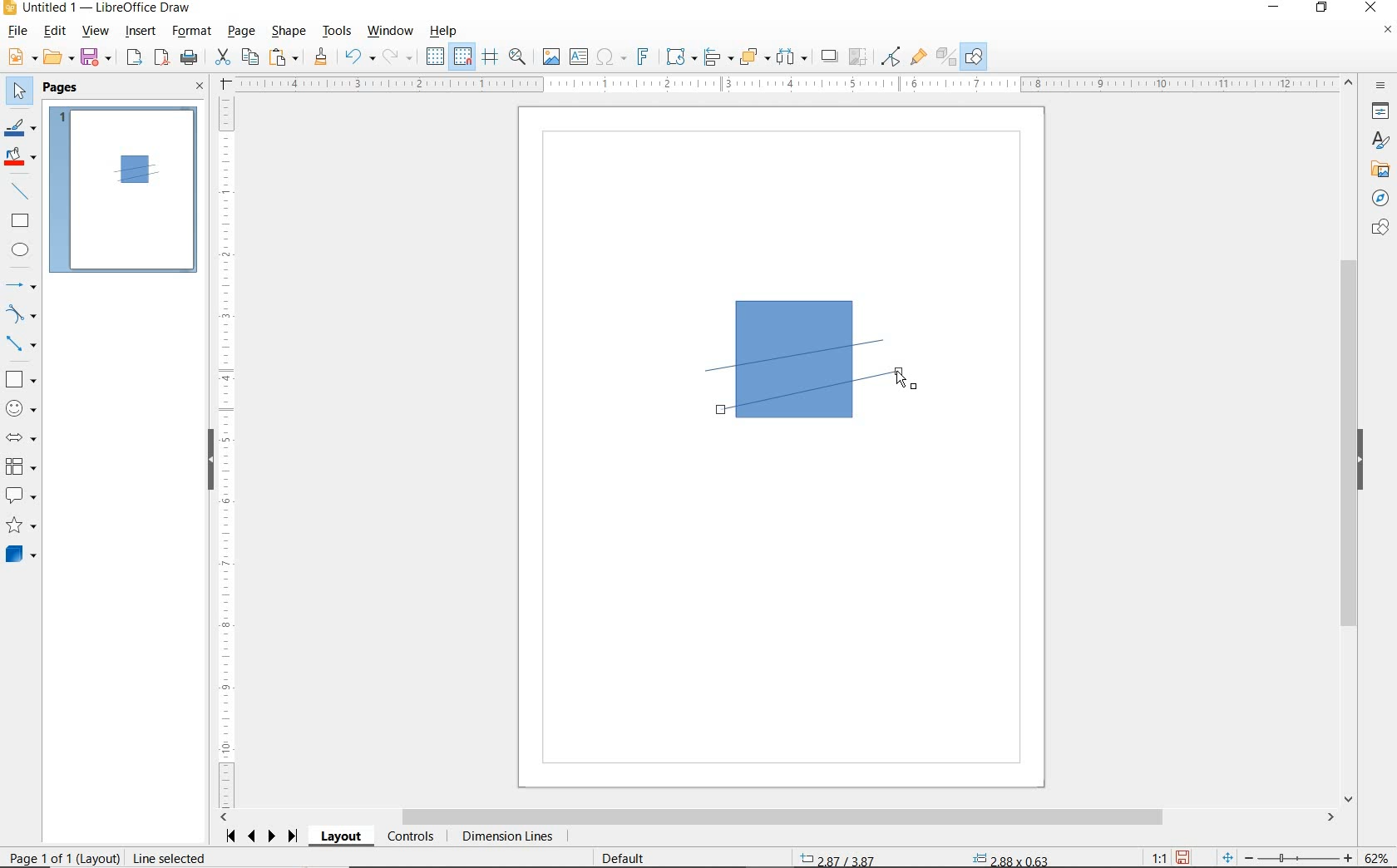 This screenshot has height=868, width=1397. I want to click on SHAPES, so click(1378, 229).